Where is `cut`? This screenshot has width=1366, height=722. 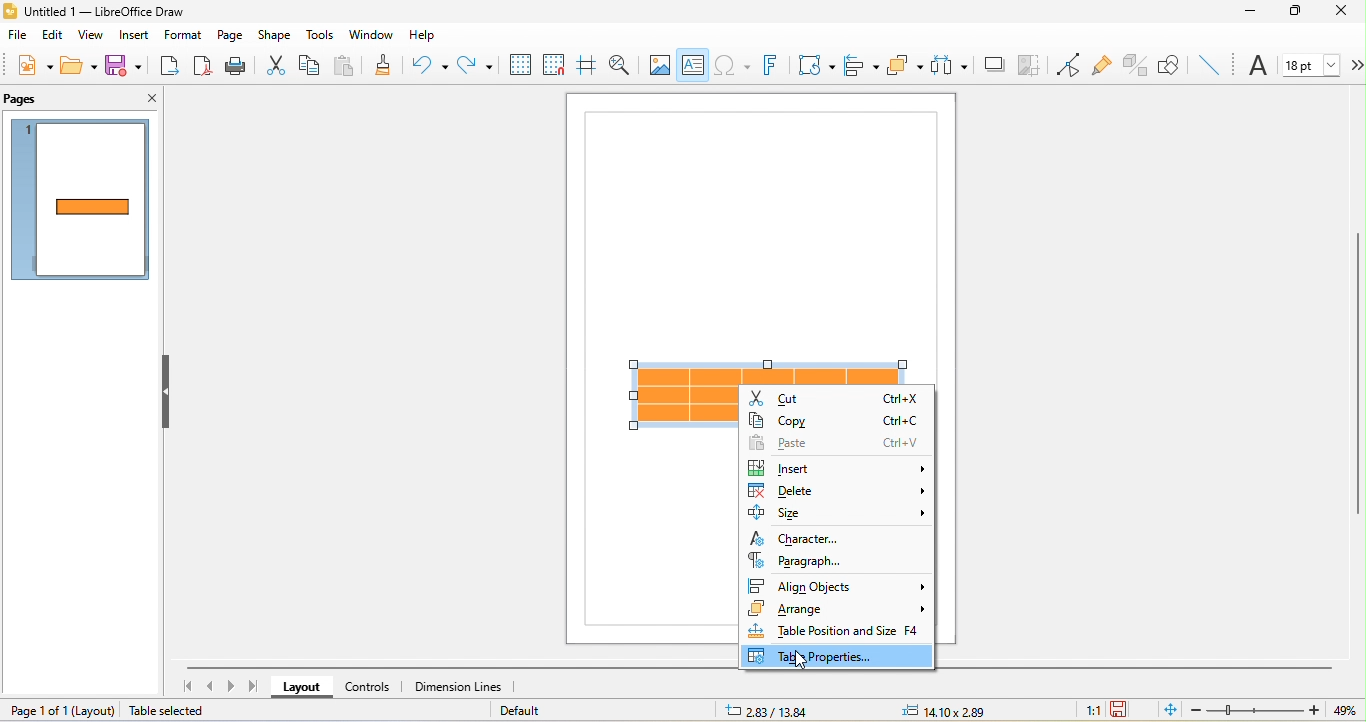 cut is located at coordinates (837, 395).